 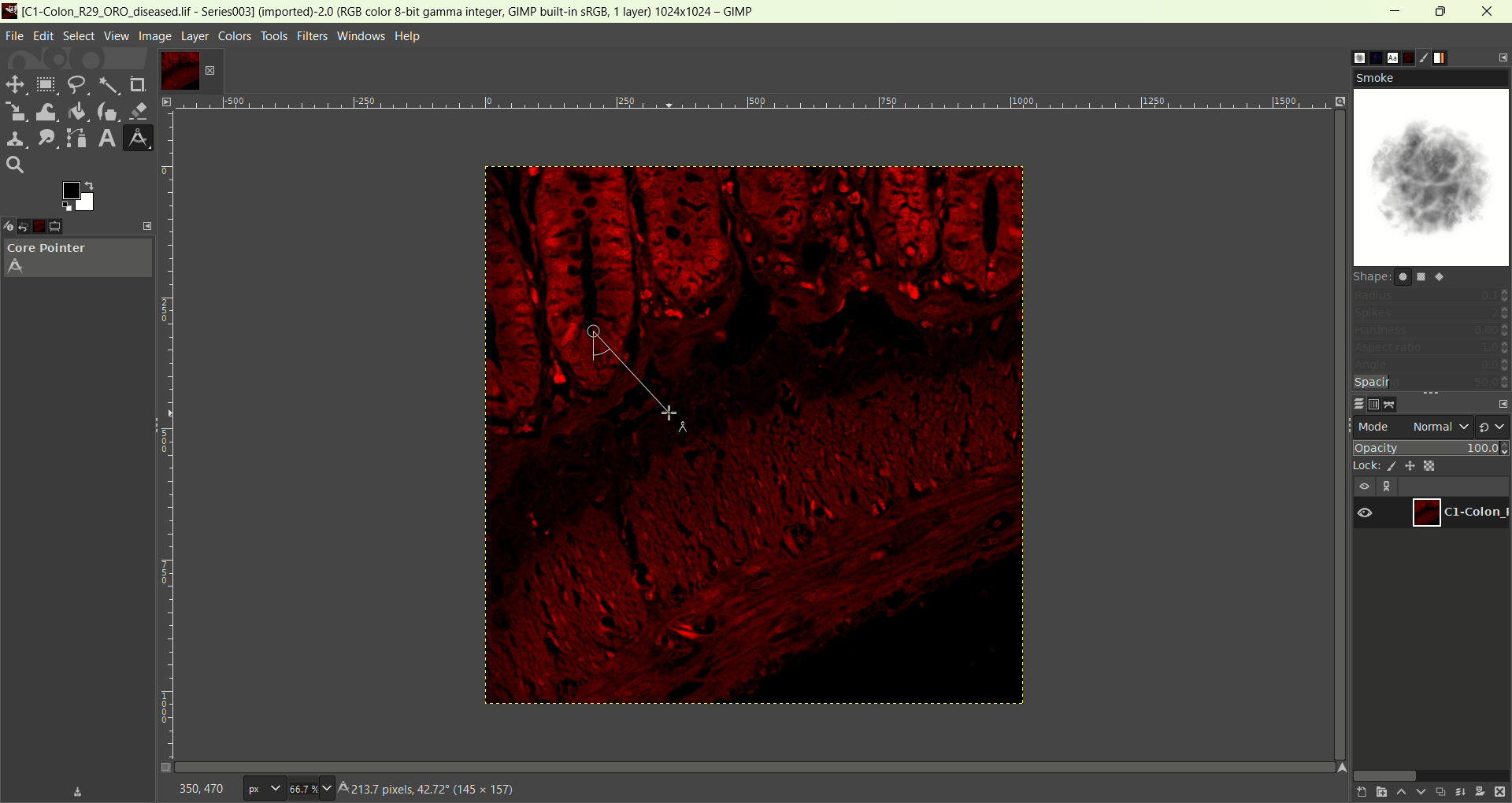 What do you see at coordinates (1431, 296) in the screenshot?
I see `radius` at bounding box center [1431, 296].